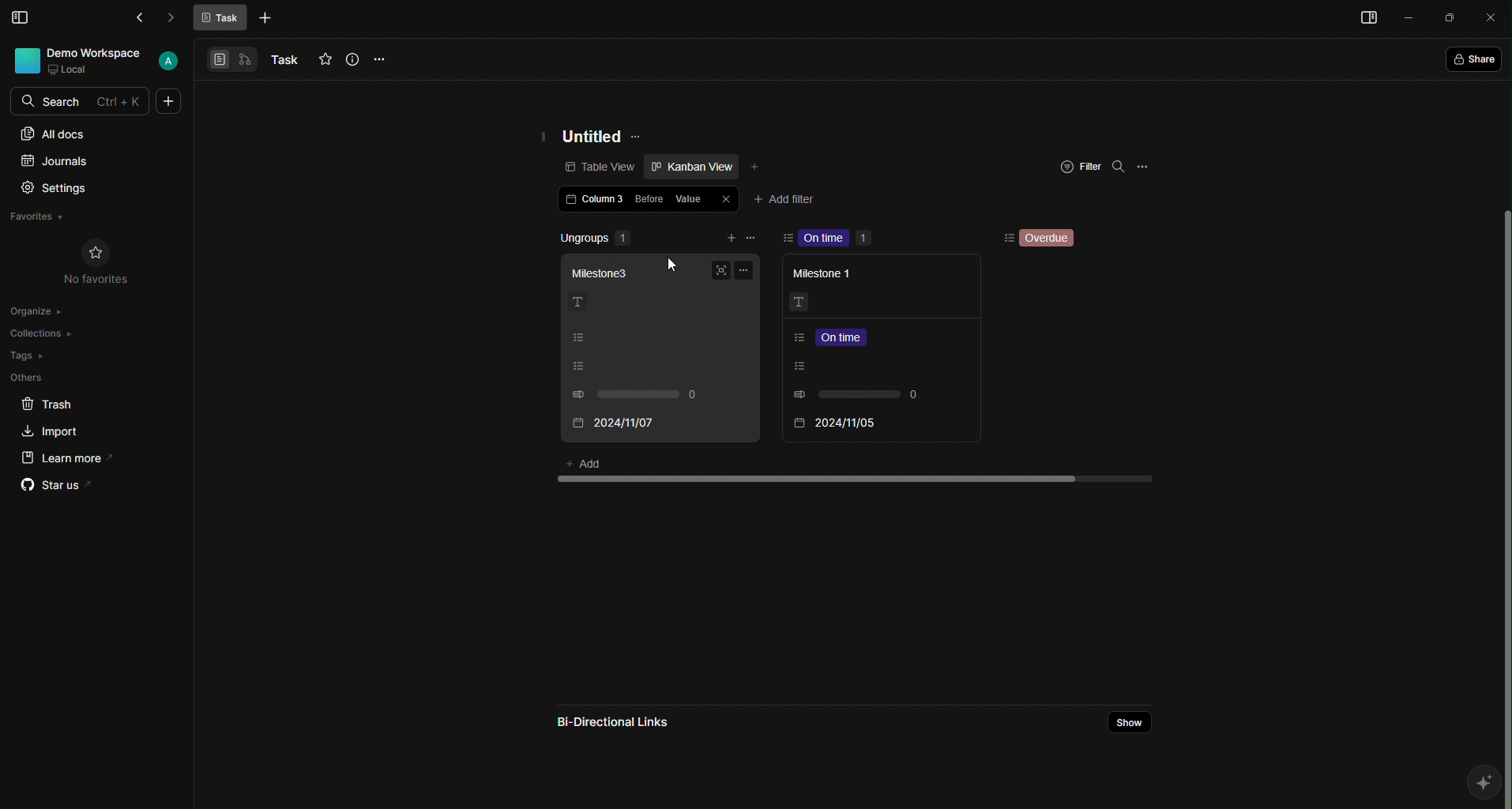  I want to click on Add, so click(758, 165).